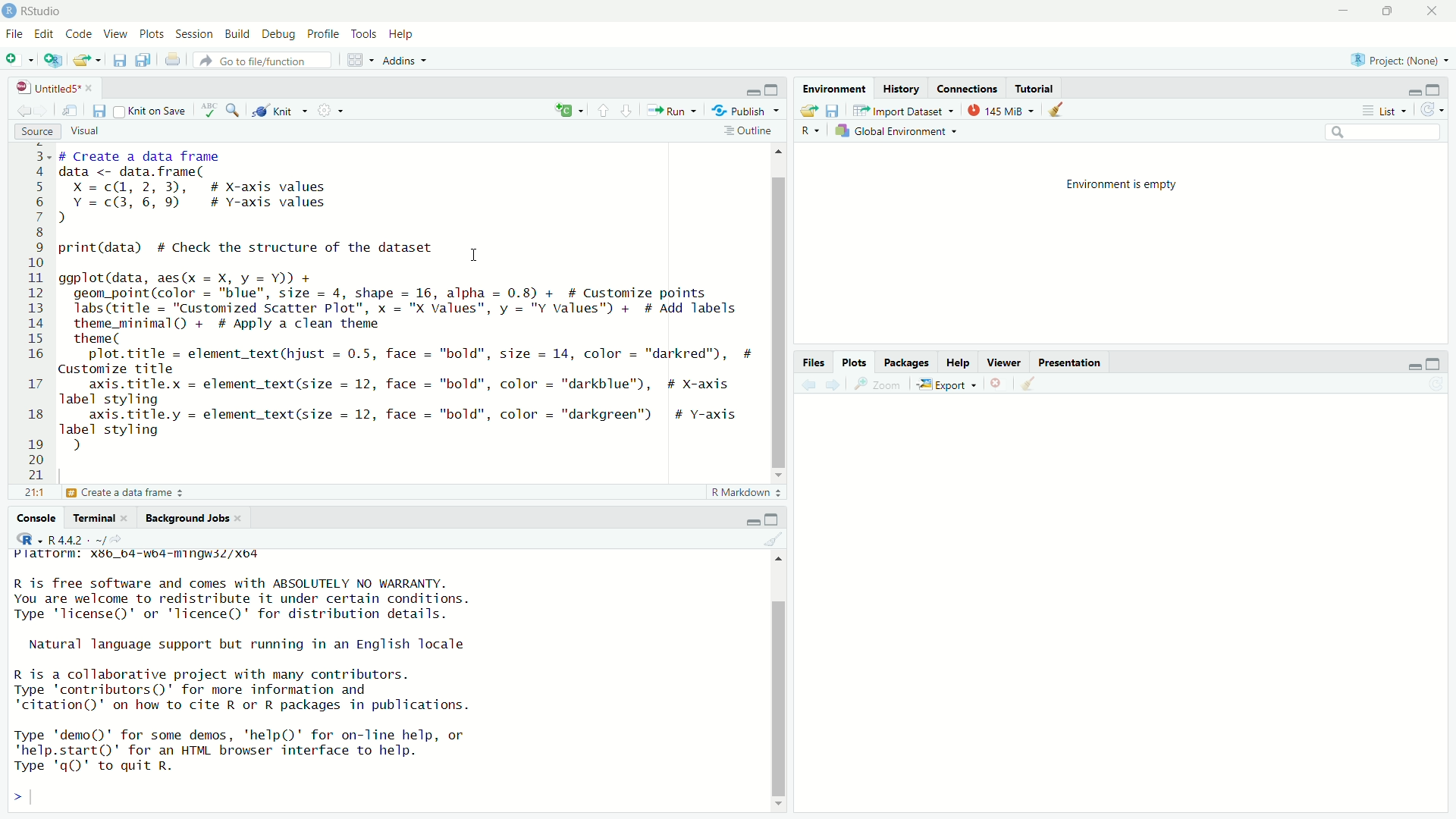 This screenshot has height=819, width=1456. What do you see at coordinates (1434, 365) in the screenshot?
I see `Maximize` at bounding box center [1434, 365].